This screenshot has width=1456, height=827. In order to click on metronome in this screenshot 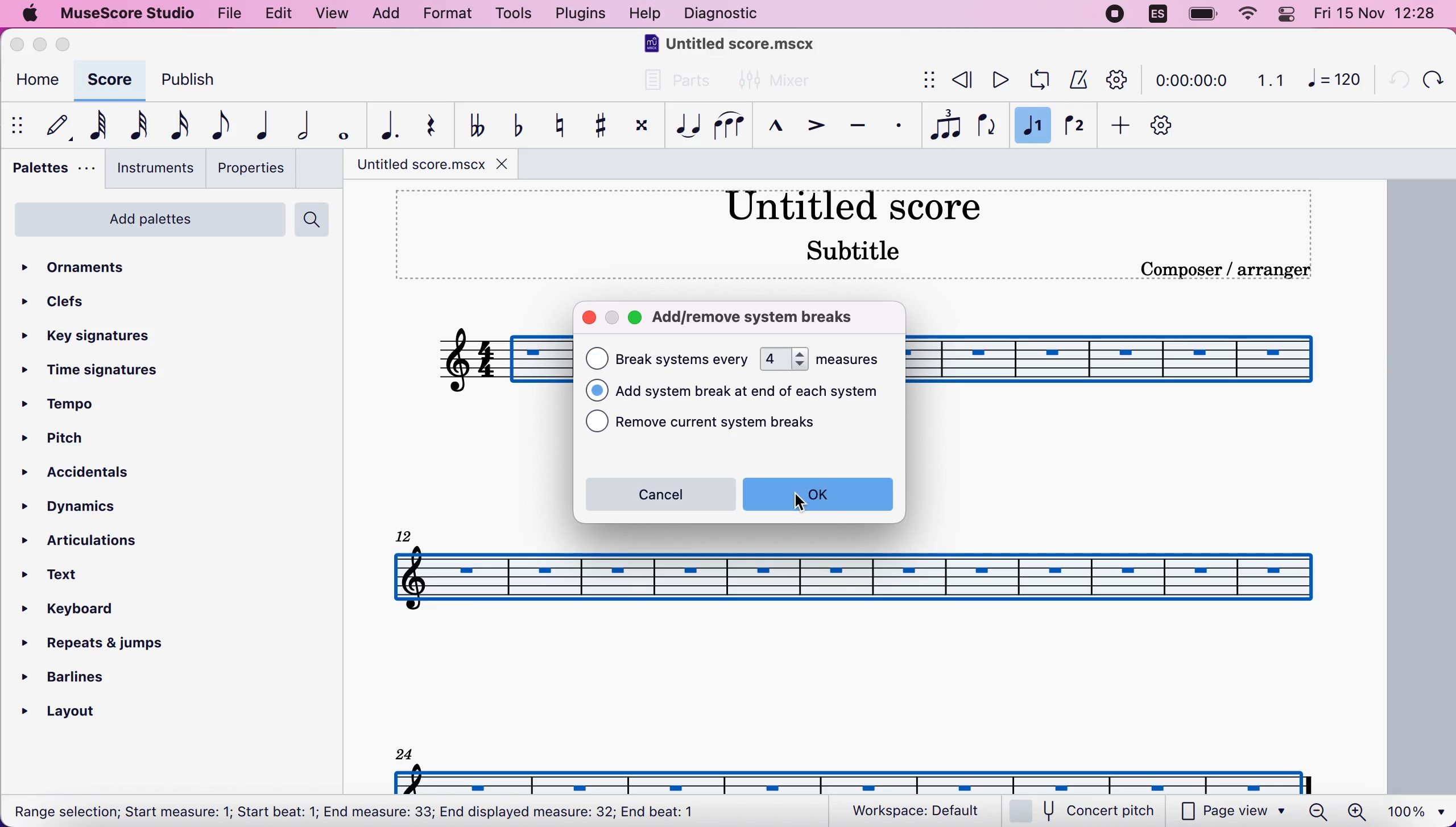, I will do `click(1076, 79)`.